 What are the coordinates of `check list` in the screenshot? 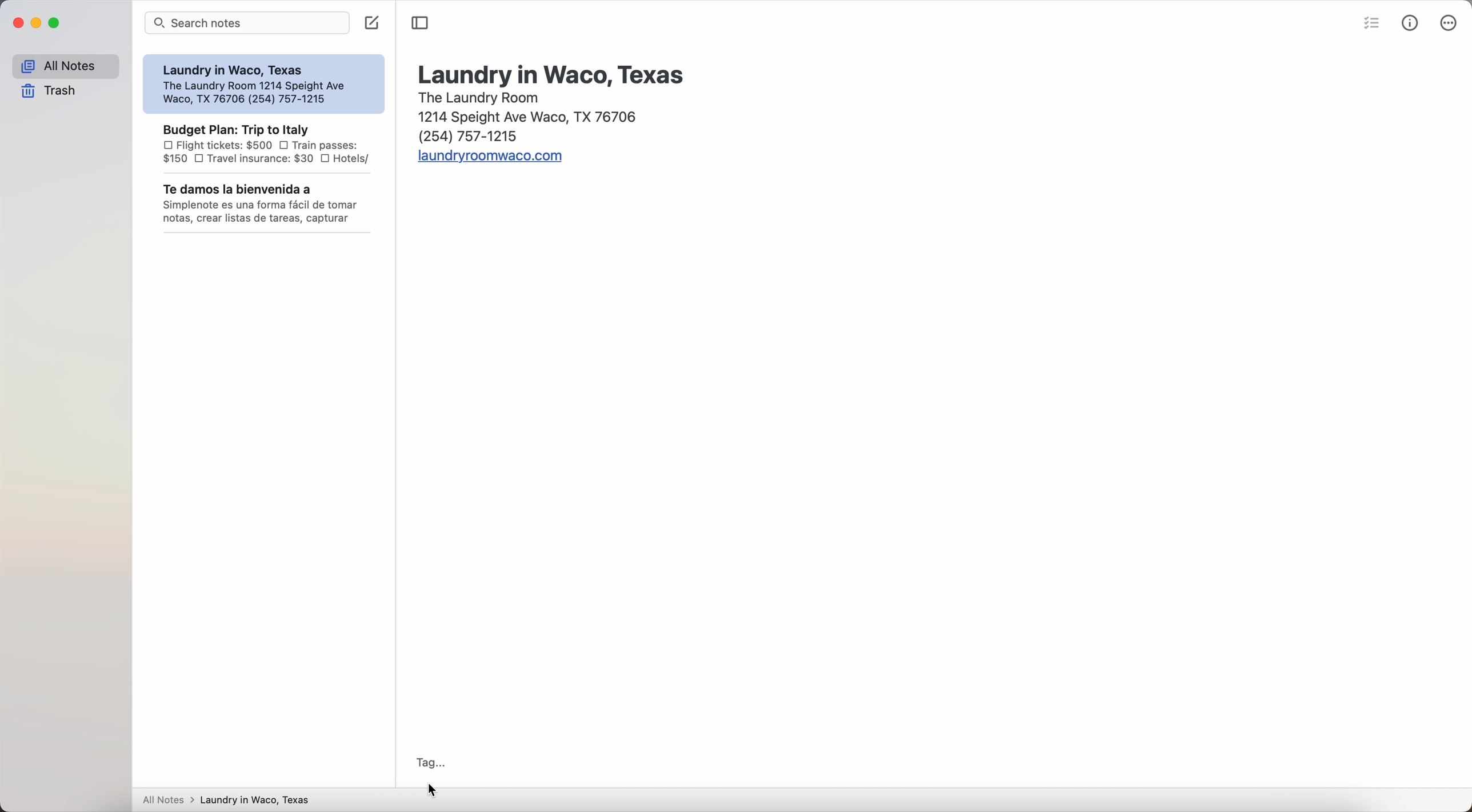 It's located at (1374, 22).